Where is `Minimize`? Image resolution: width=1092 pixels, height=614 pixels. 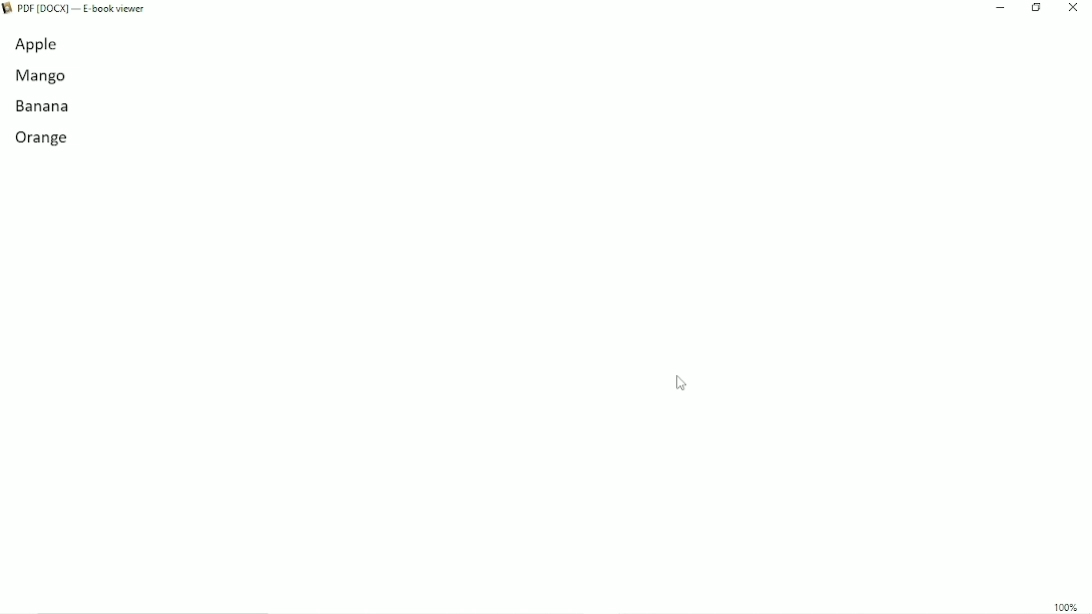 Minimize is located at coordinates (1001, 9).